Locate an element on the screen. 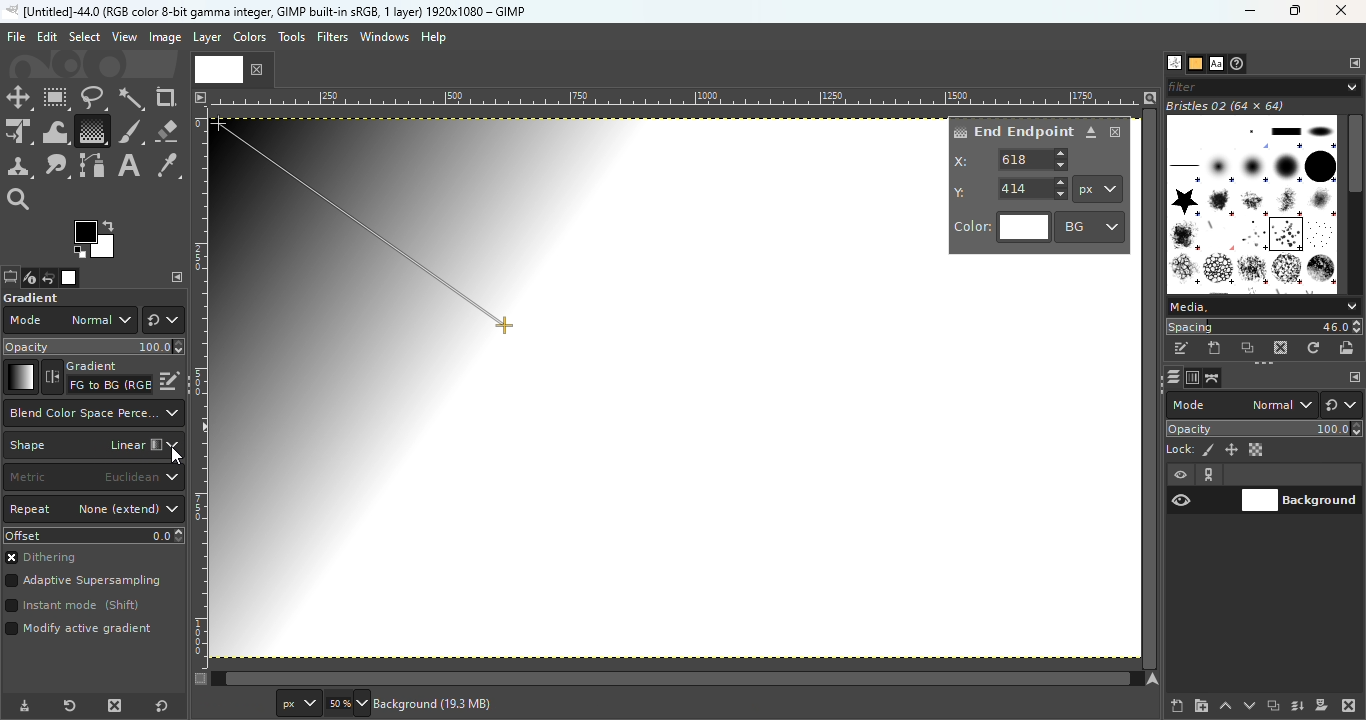  open the fonts tab is located at coordinates (1216, 64).